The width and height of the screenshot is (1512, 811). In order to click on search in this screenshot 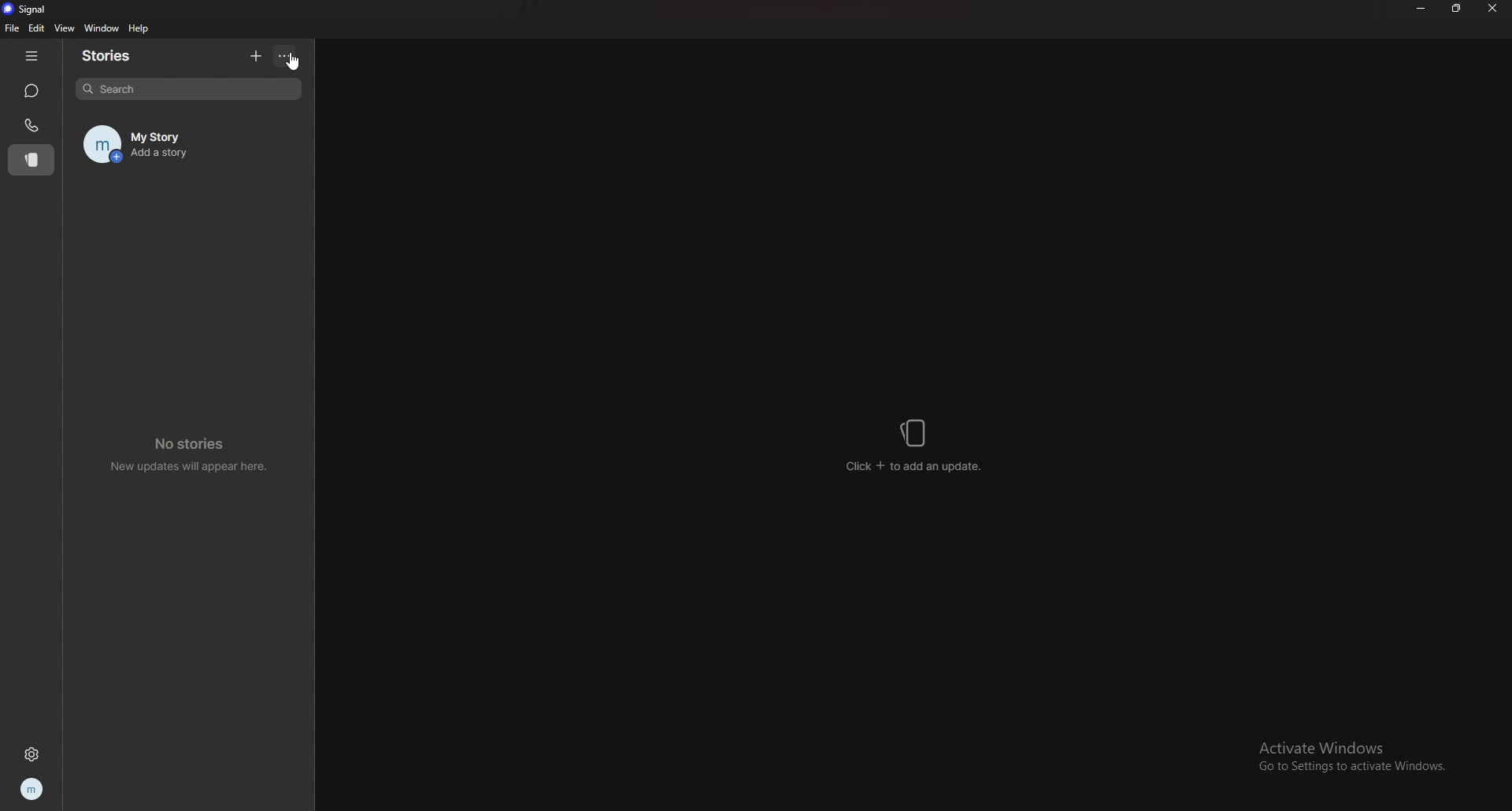, I will do `click(188, 91)`.